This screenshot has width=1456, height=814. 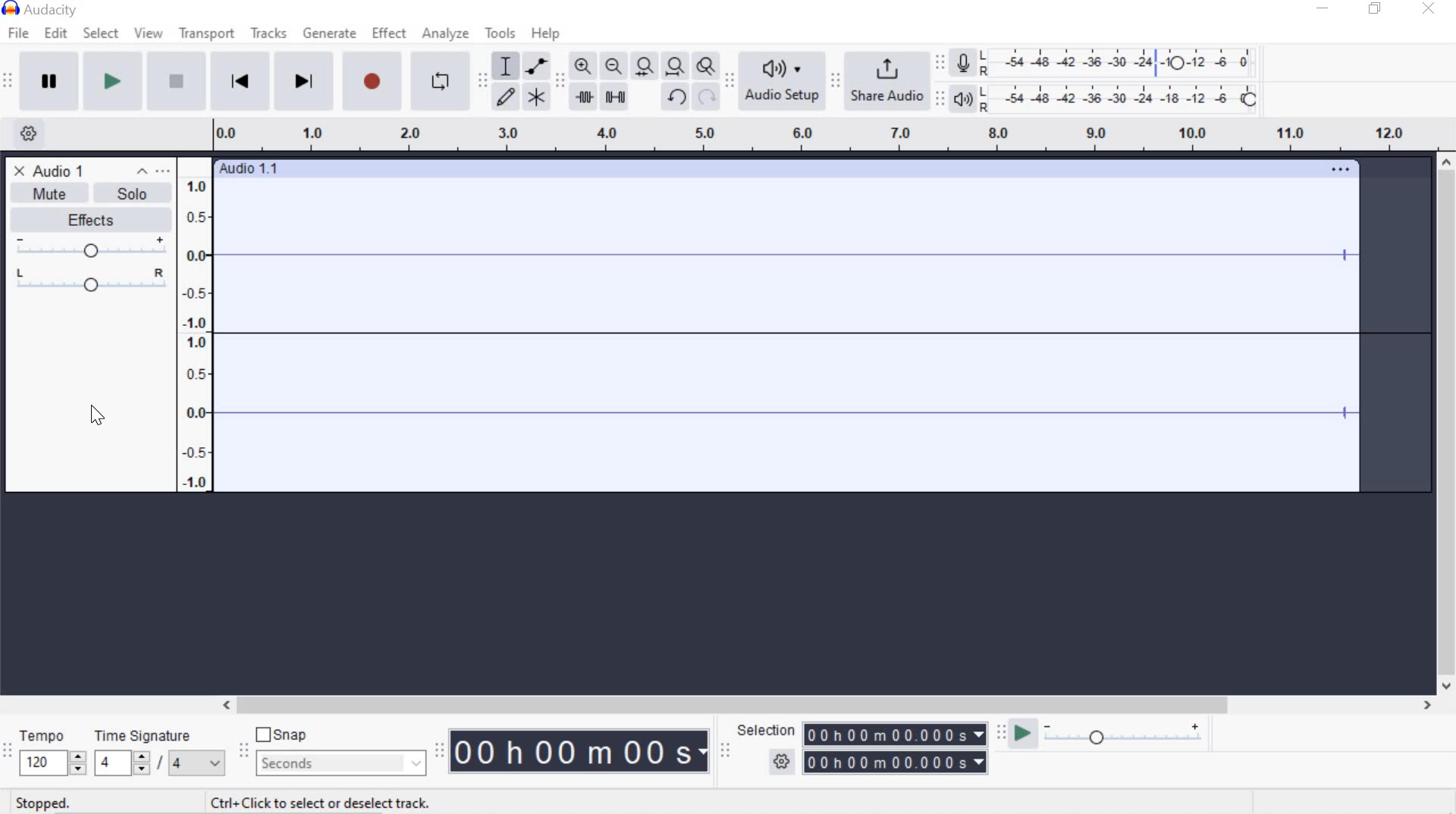 What do you see at coordinates (824, 335) in the screenshot?
I see `Audio Track` at bounding box center [824, 335].